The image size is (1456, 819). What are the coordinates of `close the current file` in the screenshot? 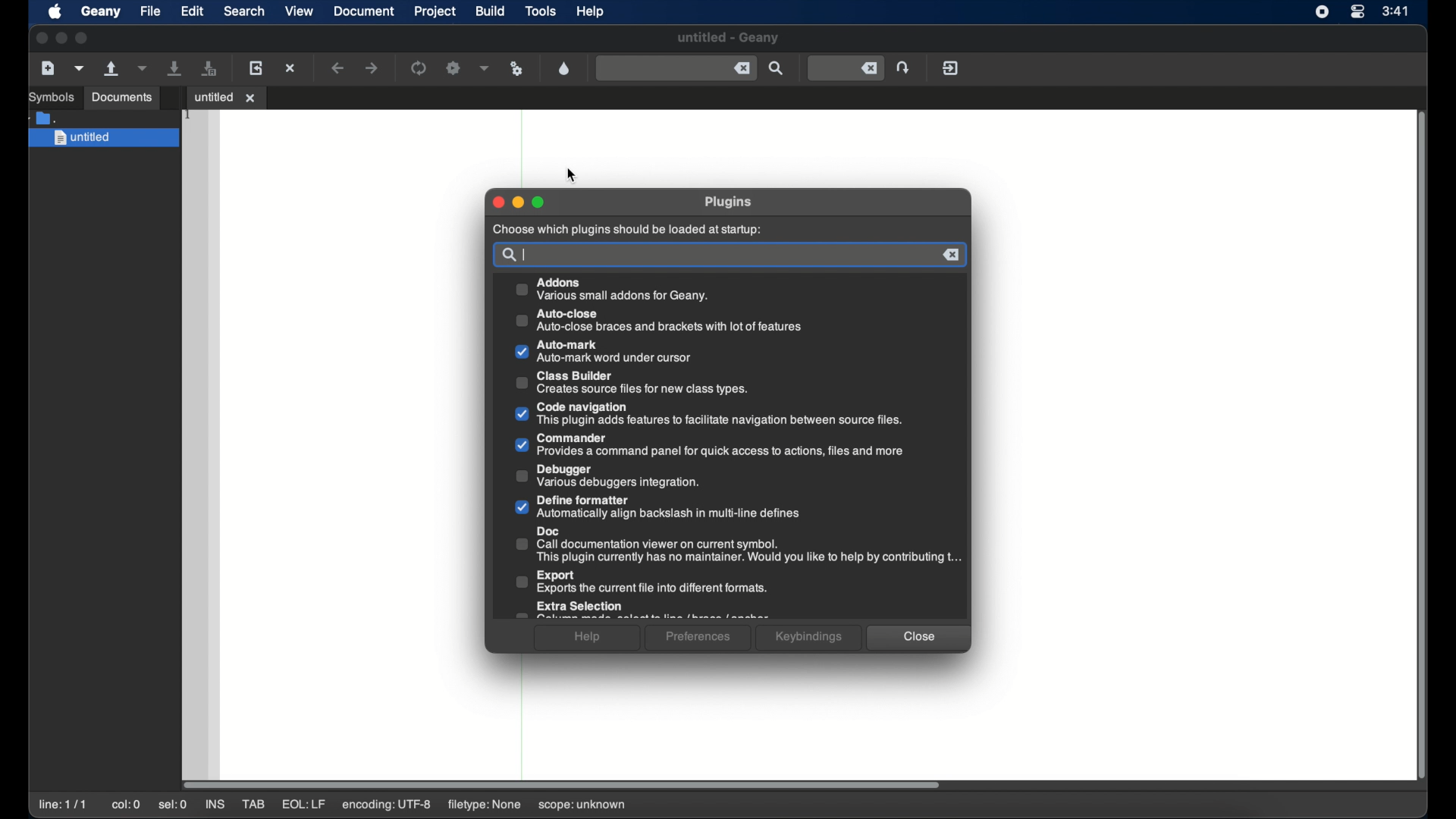 It's located at (291, 67).